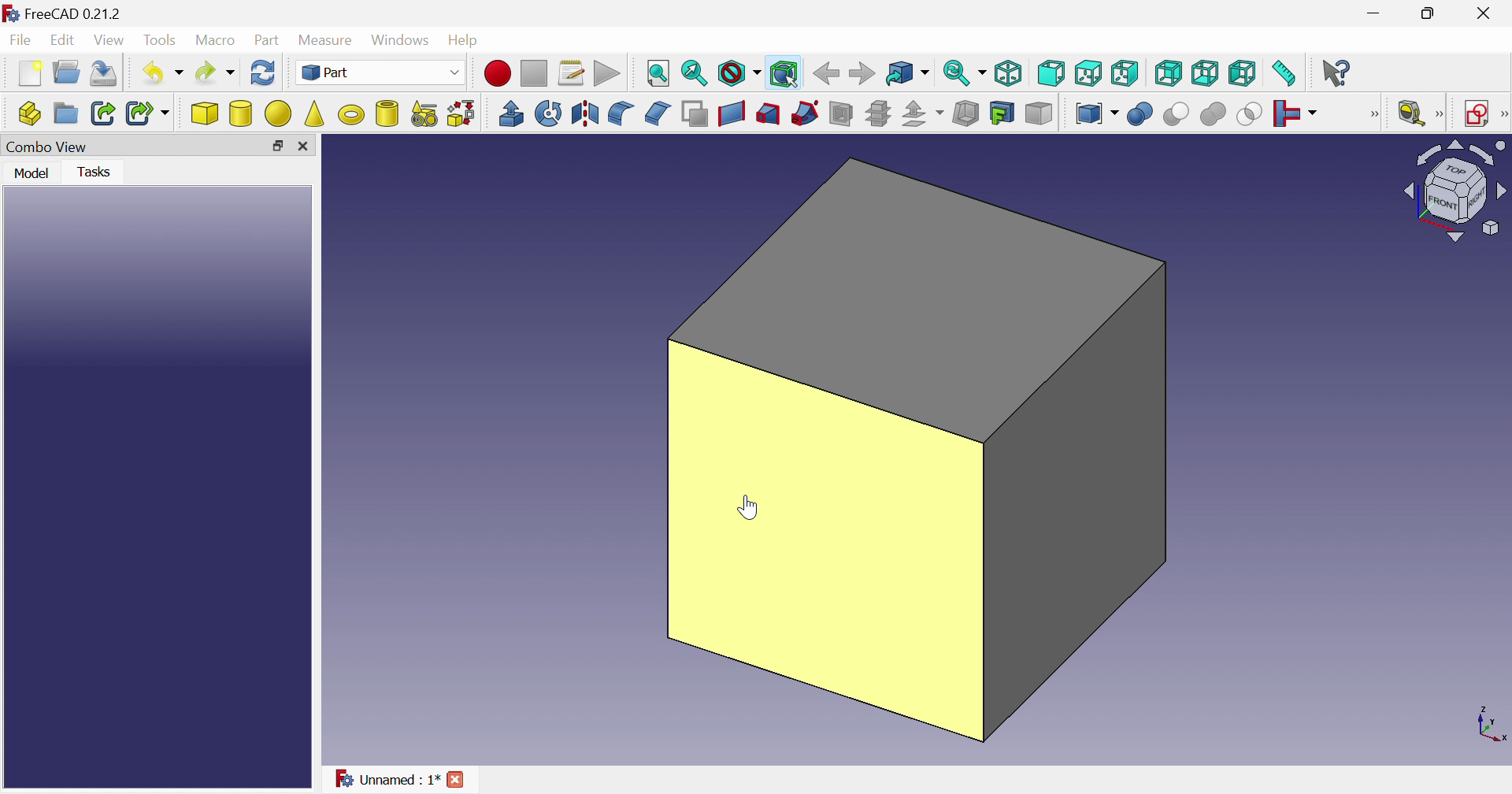 Image resolution: width=1512 pixels, height=794 pixels. What do you see at coordinates (548, 113) in the screenshot?
I see `Revolve...` at bounding box center [548, 113].